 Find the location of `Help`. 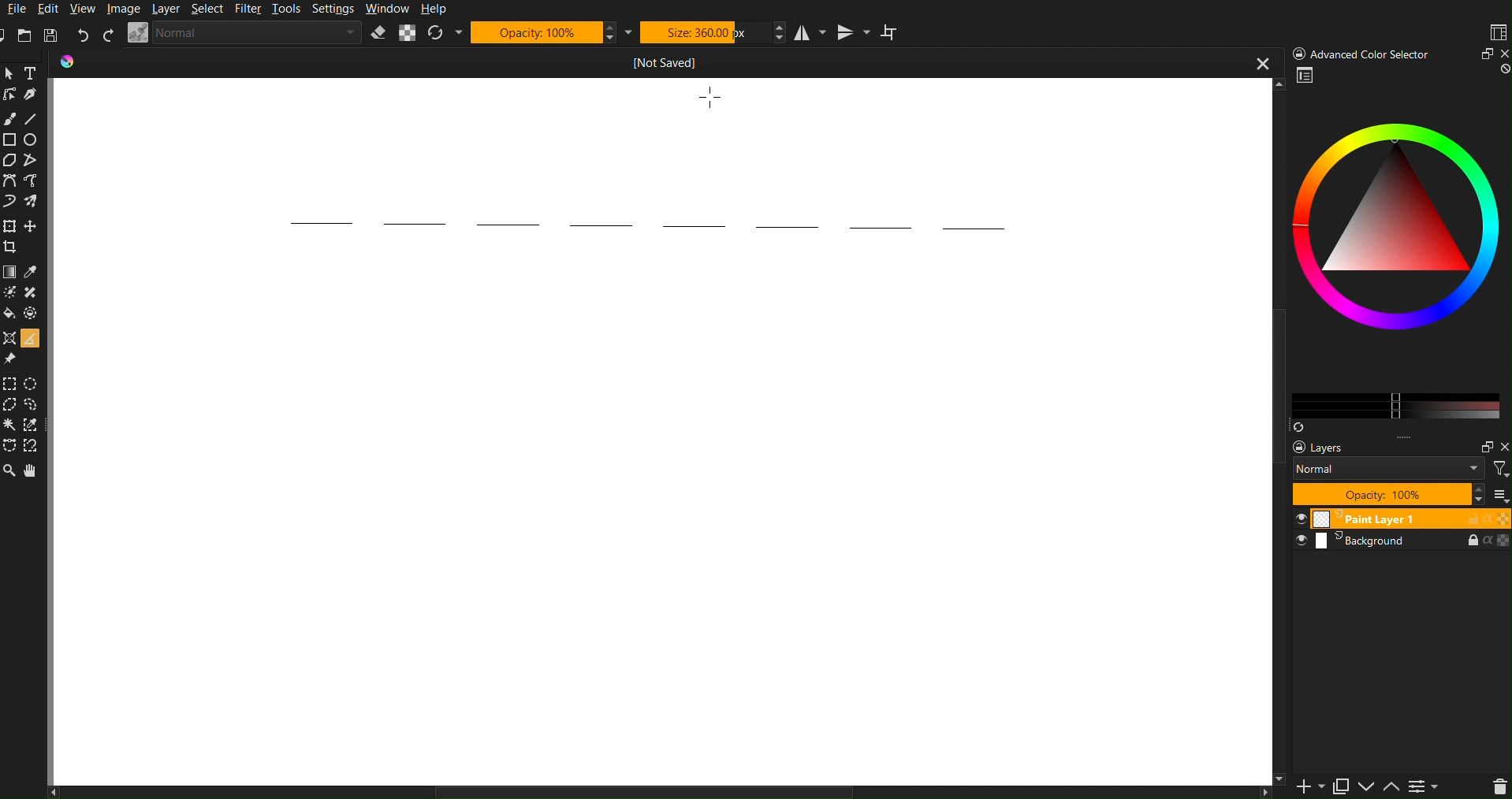

Help is located at coordinates (434, 9).